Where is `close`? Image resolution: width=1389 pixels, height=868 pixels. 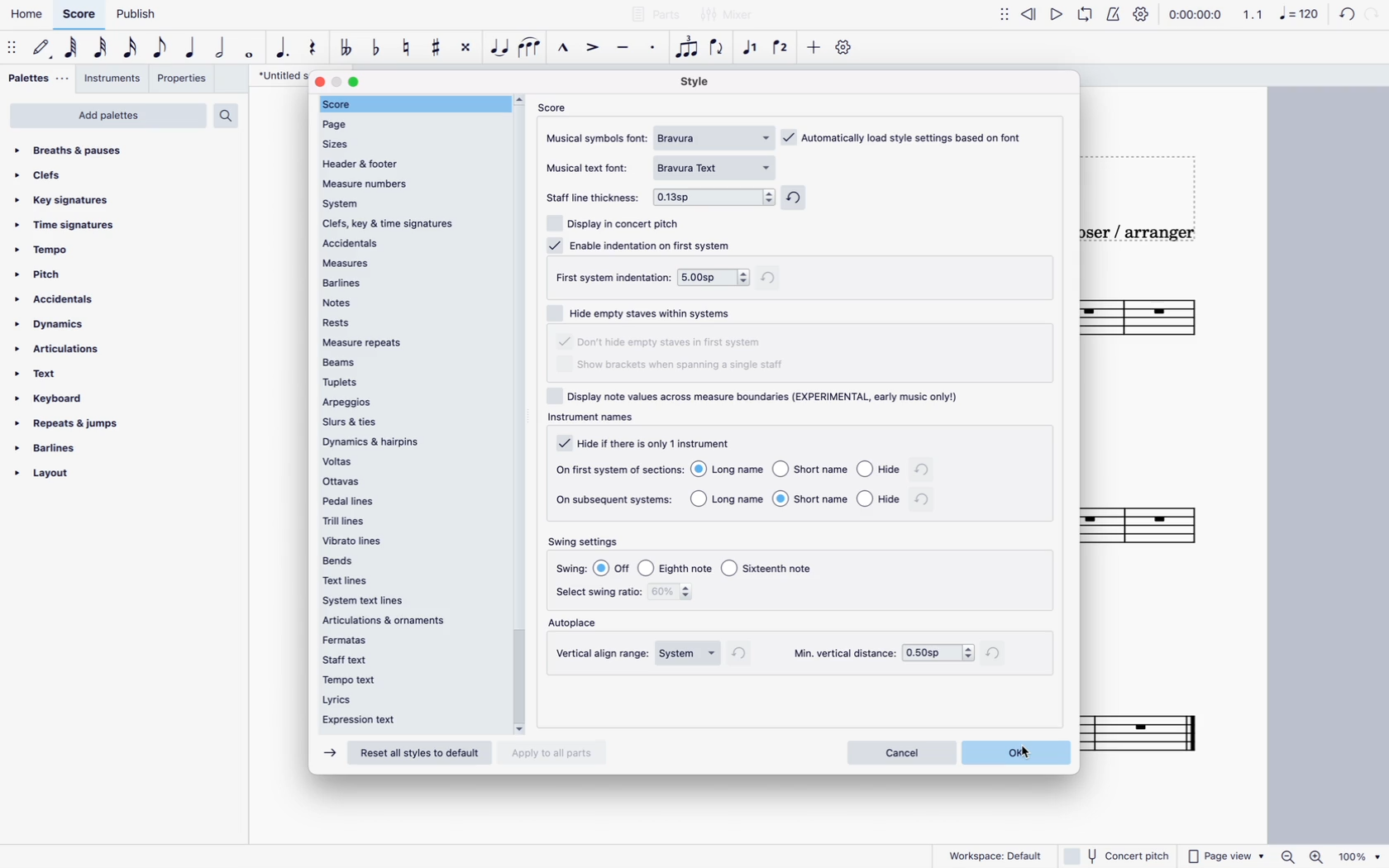 close is located at coordinates (321, 81).